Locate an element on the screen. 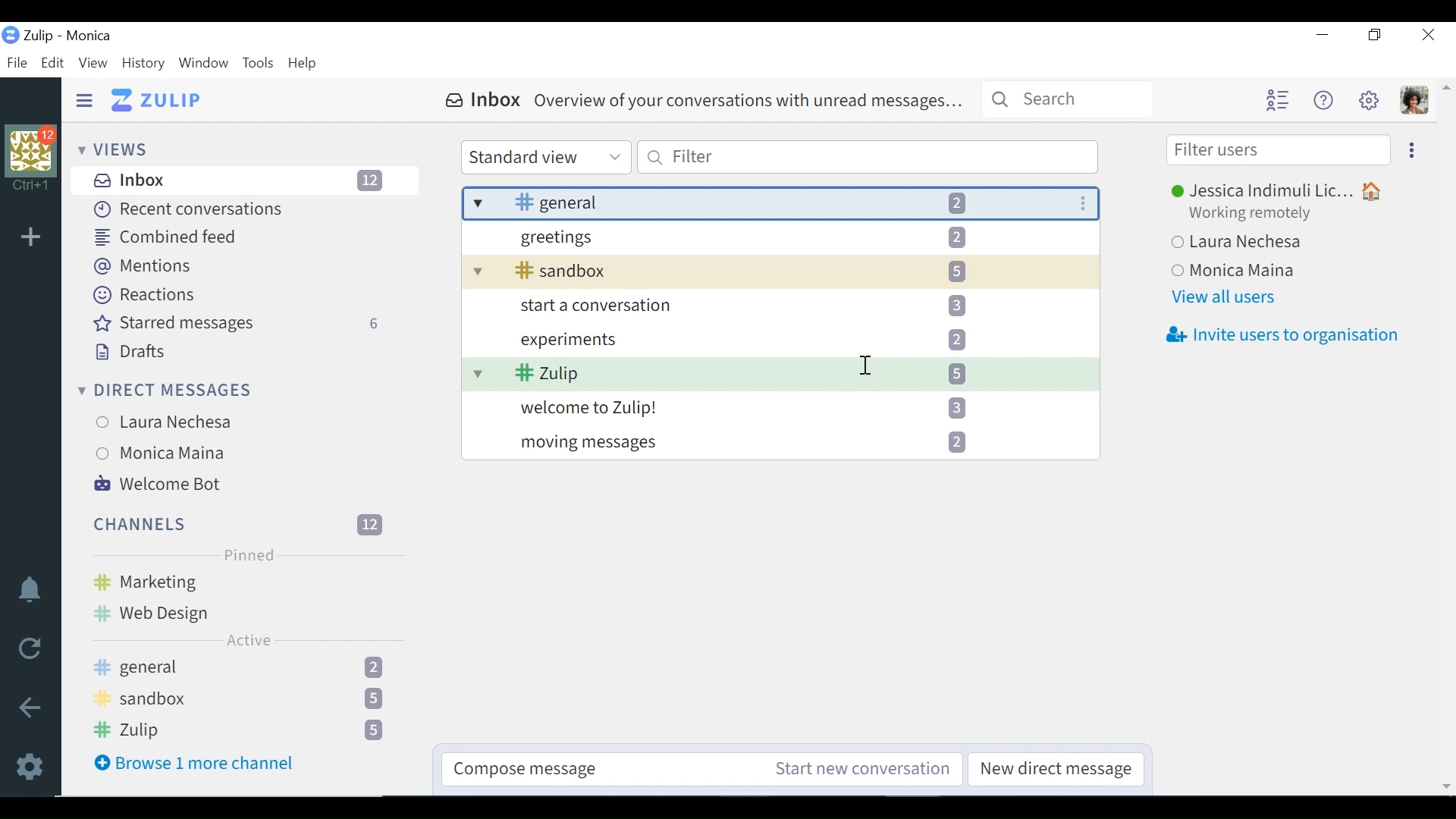  Go to Home View is located at coordinates (158, 99).